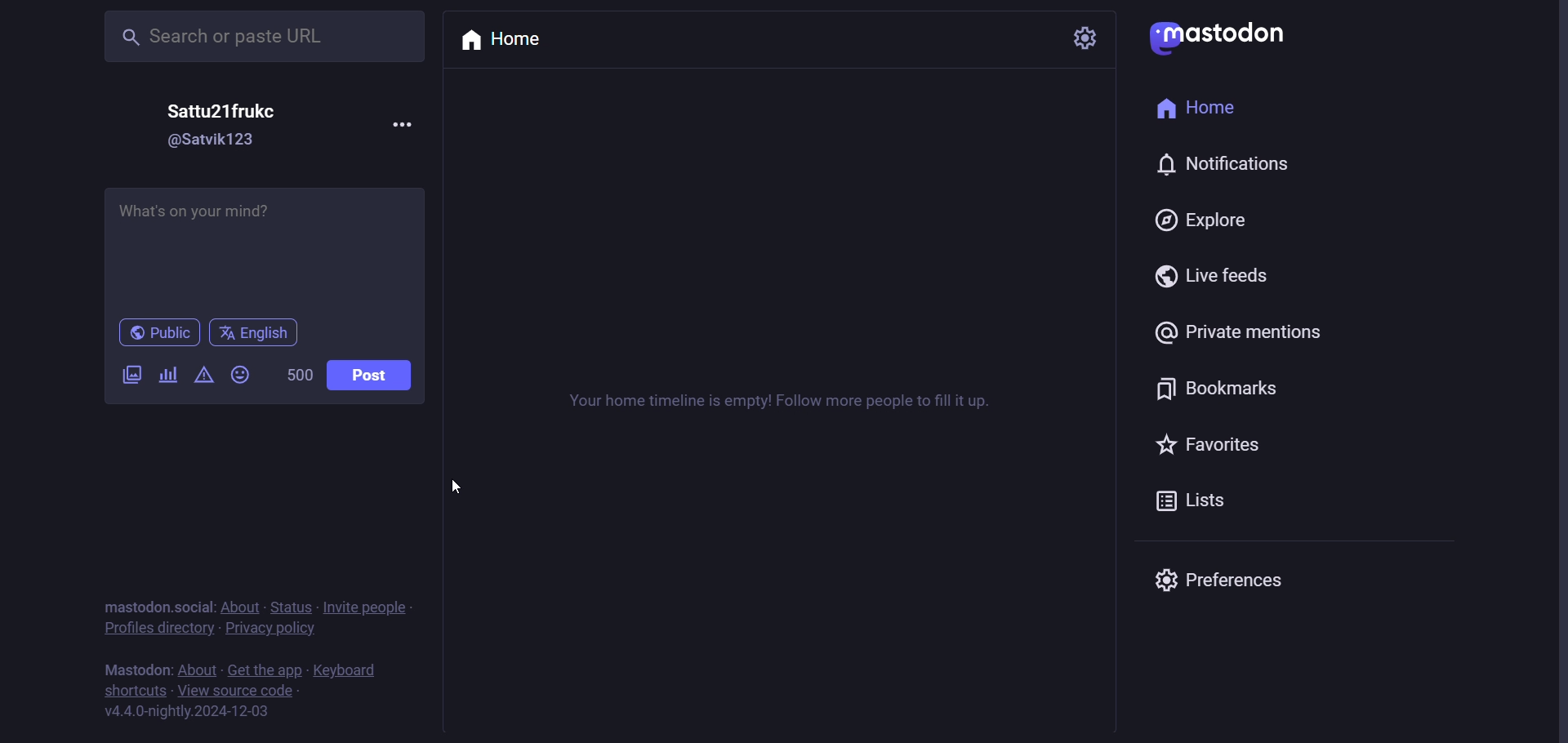 The width and height of the screenshot is (1568, 743). Describe the element at coordinates (134, 605) in the screenshot. I see `mastodon` at that location.